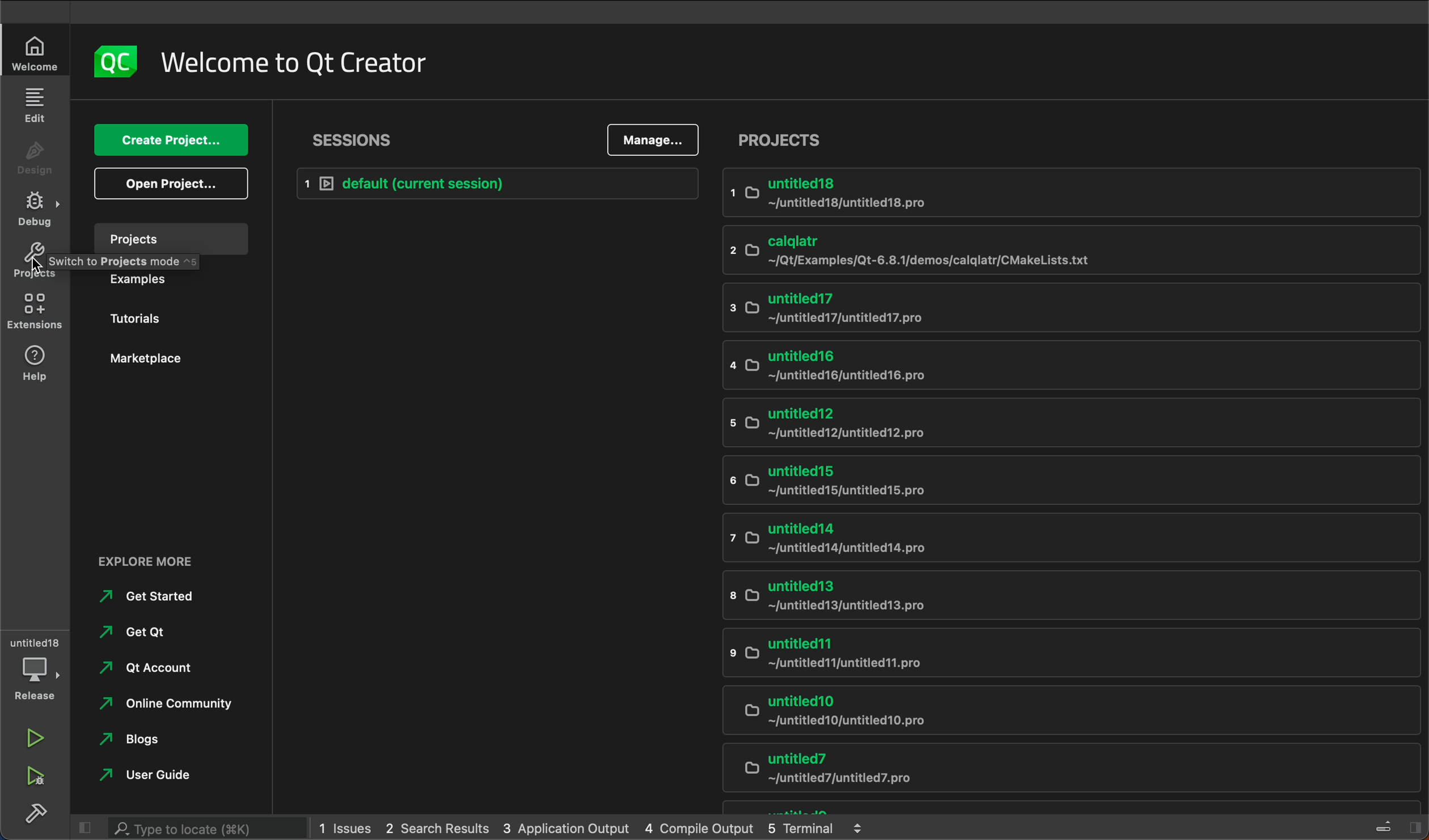 The image size is (1429, 840). Describe the element at coordinates (1069, 251) in the screenshot. I see `calqlatr` at that location.